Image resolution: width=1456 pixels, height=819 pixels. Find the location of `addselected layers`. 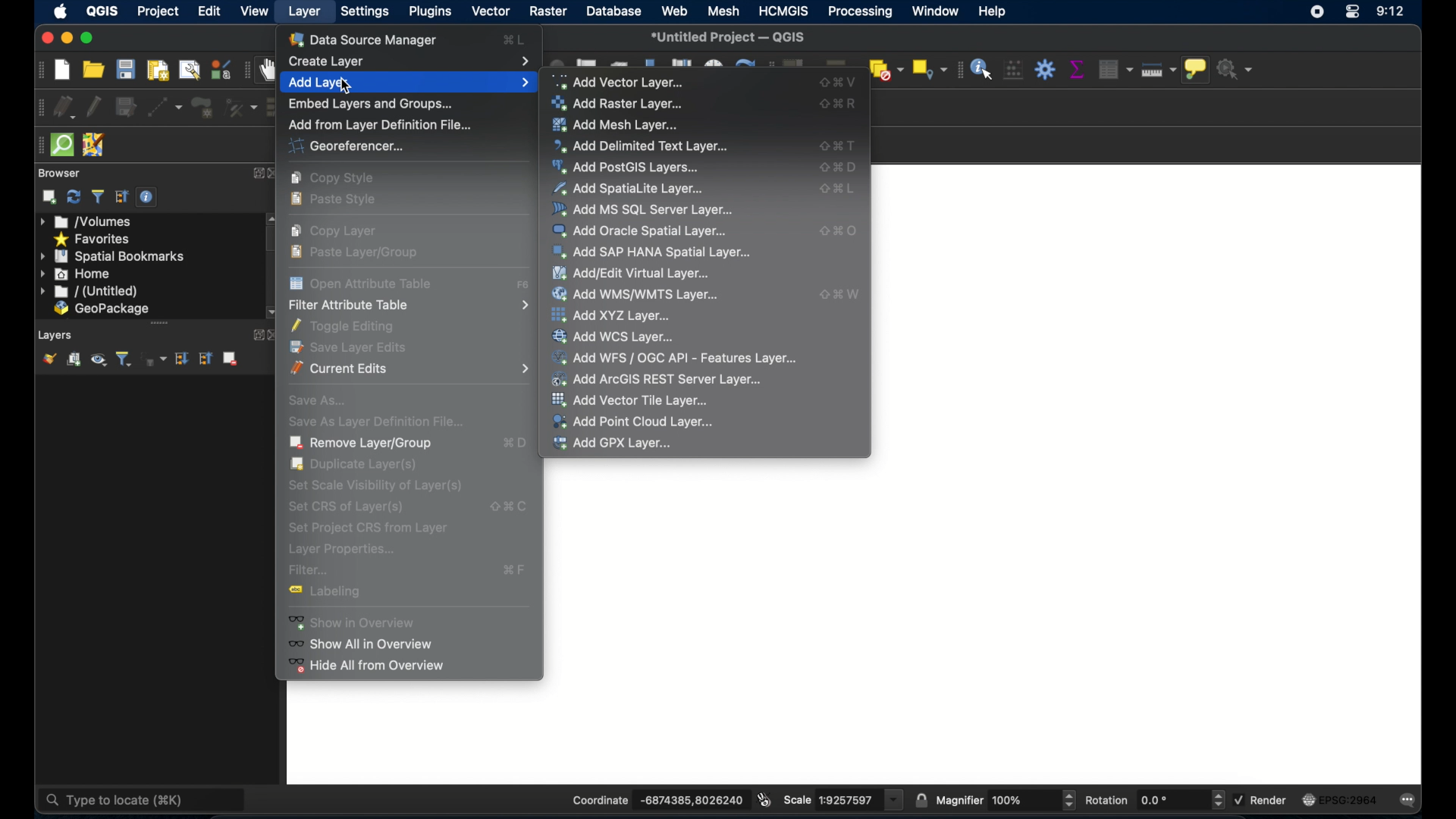

addselected layers is located at coordinates (49, 197).